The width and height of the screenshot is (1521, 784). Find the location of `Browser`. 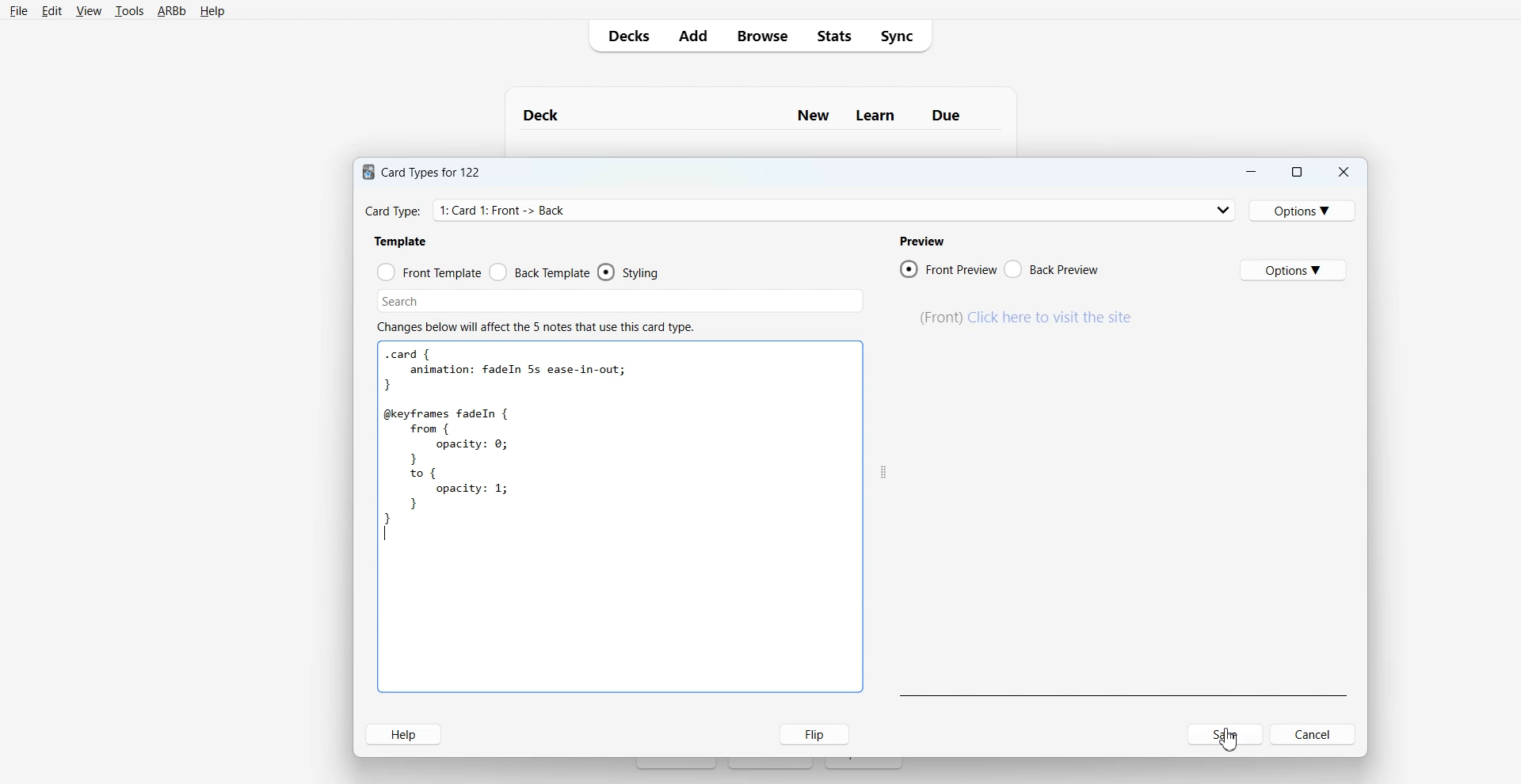

Browser is located at coordinates (760, 35).